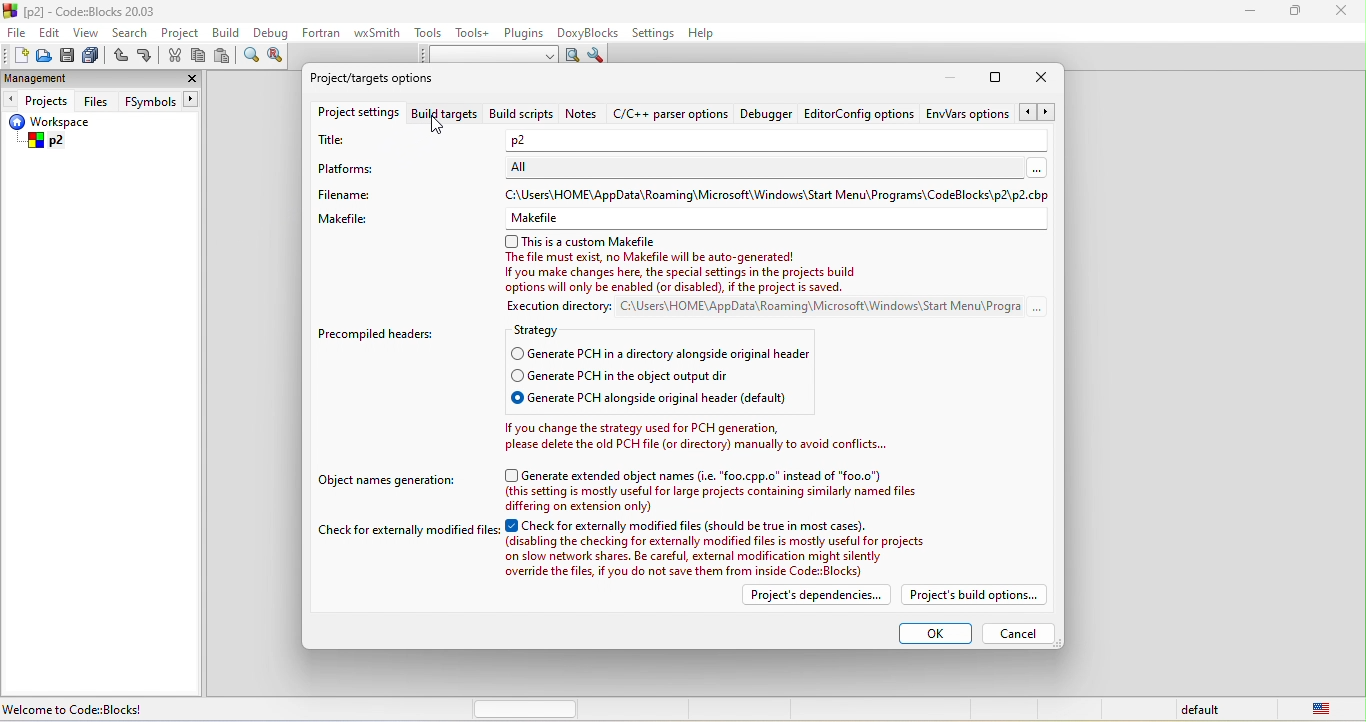  What do you see at coordinates (572, 55) in the screenshot?
I see `run search` at bounding box center [572, 55].